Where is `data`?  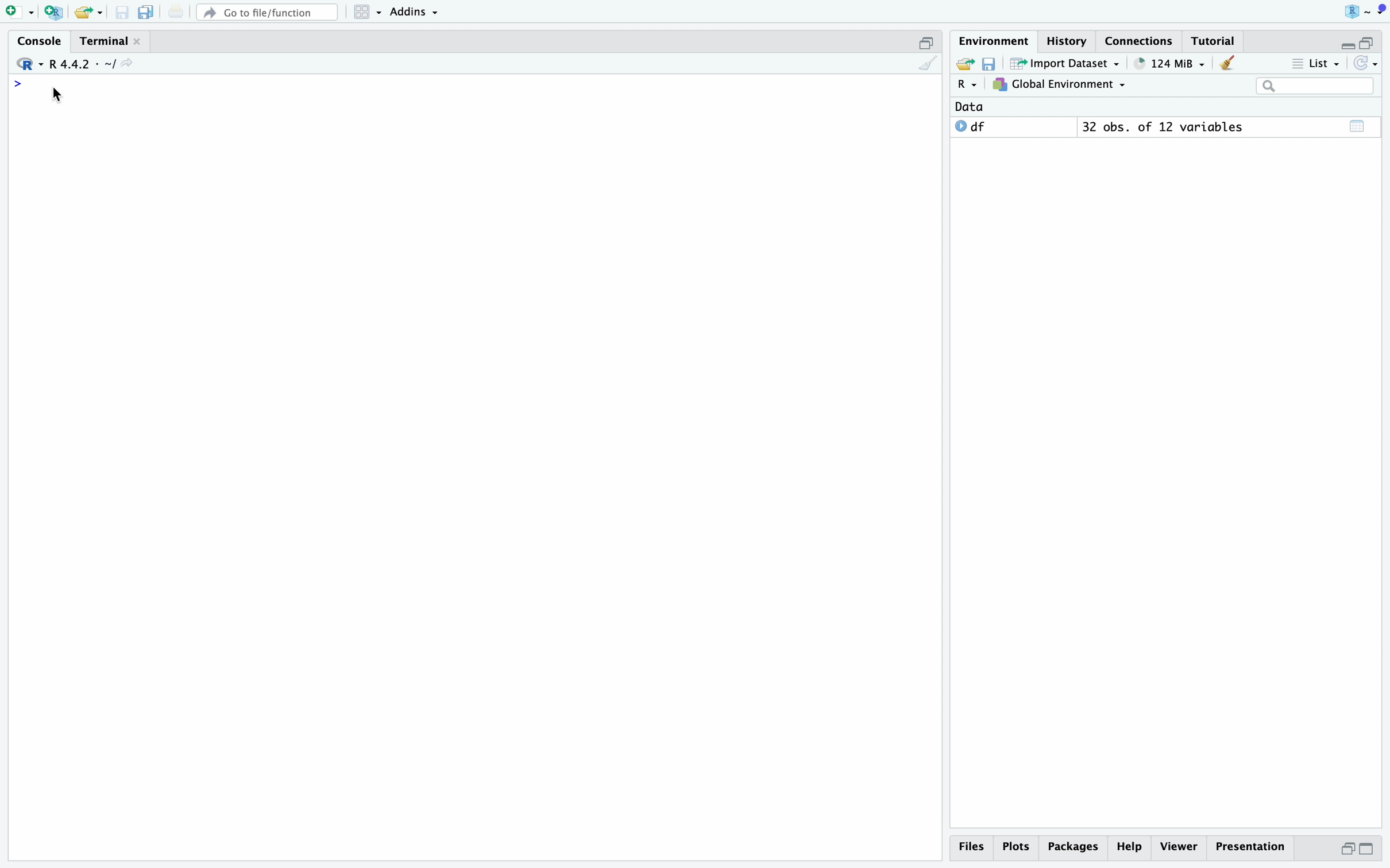 data is located at coordinates (969, 107).